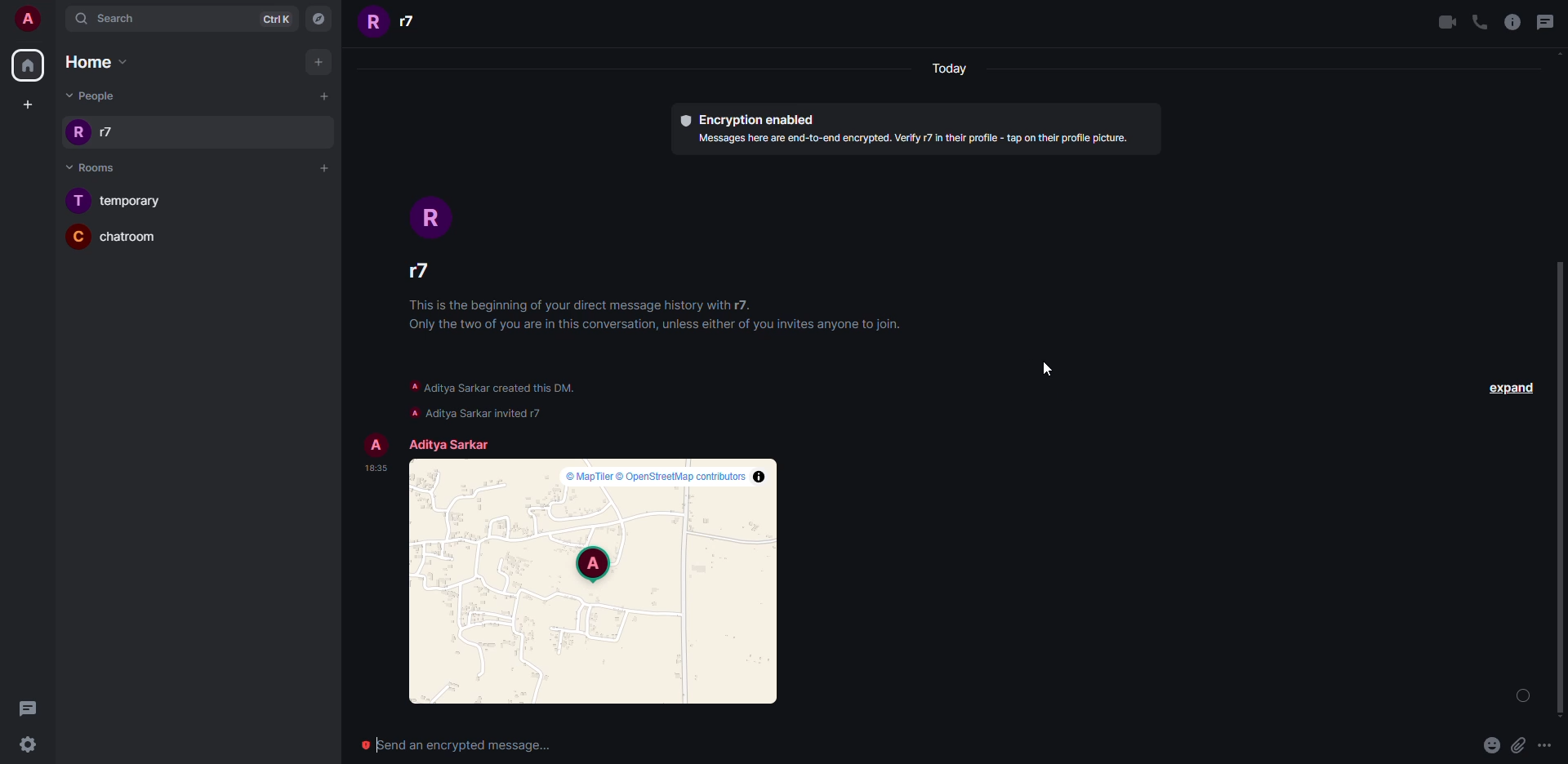  Describe the element at coordinates (586, 565) in the screenshot. I see `location on map` at that location.